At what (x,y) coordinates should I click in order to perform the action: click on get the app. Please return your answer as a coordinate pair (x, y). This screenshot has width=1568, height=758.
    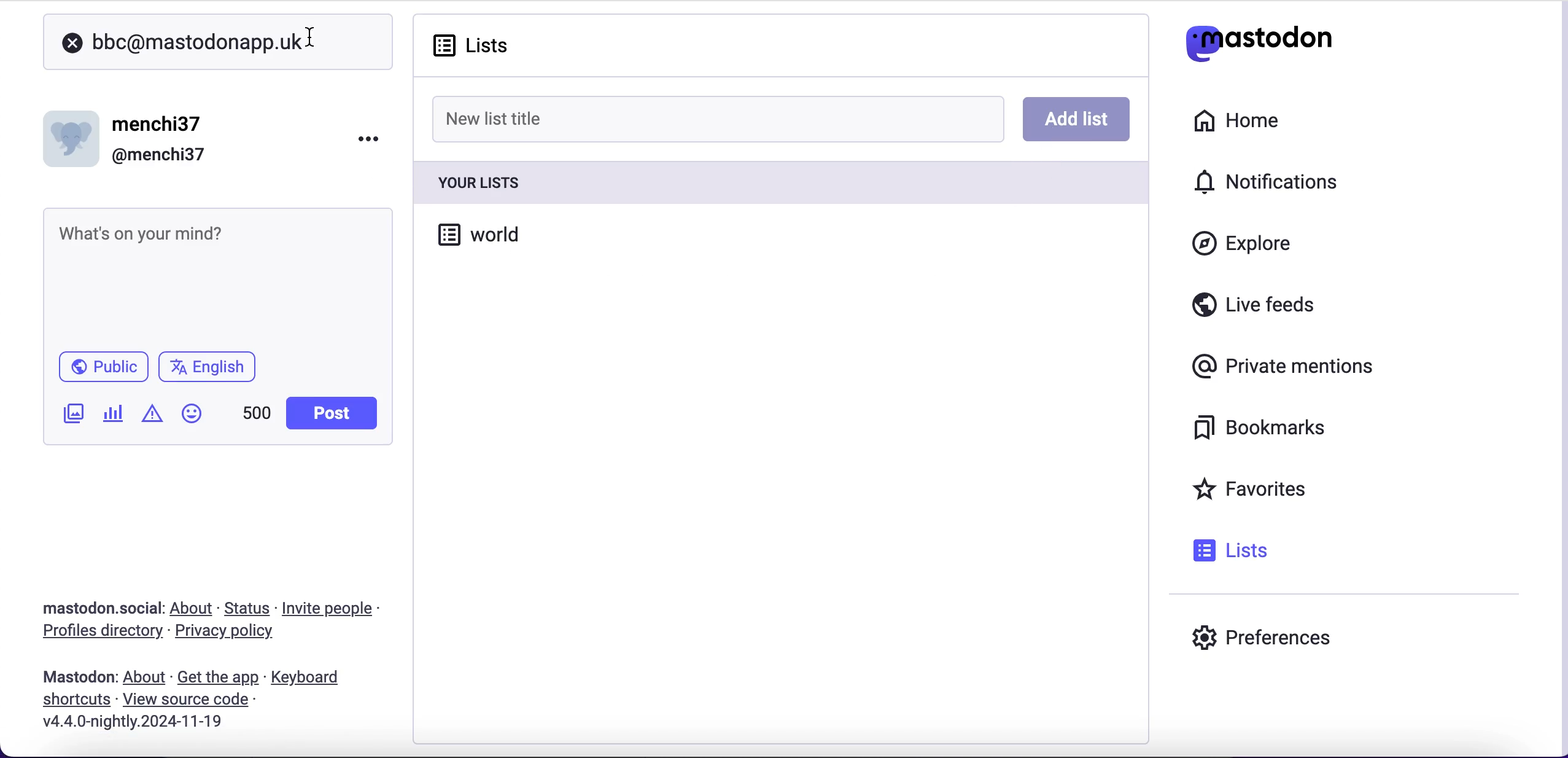
    Looking at the image, I should click on (217, 677).